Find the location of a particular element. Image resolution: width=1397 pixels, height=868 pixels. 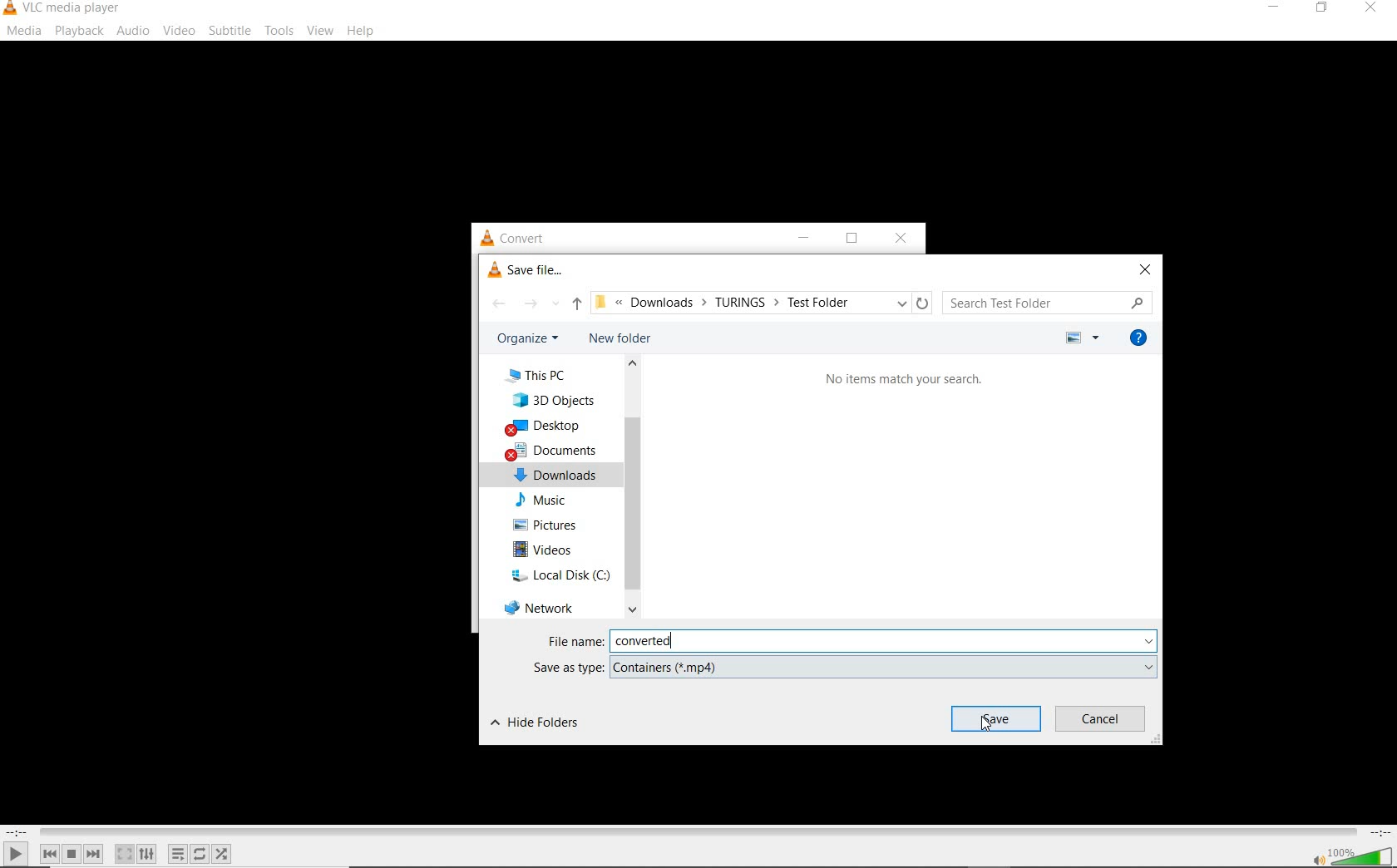

get help is located at coordinates (1137, 337).